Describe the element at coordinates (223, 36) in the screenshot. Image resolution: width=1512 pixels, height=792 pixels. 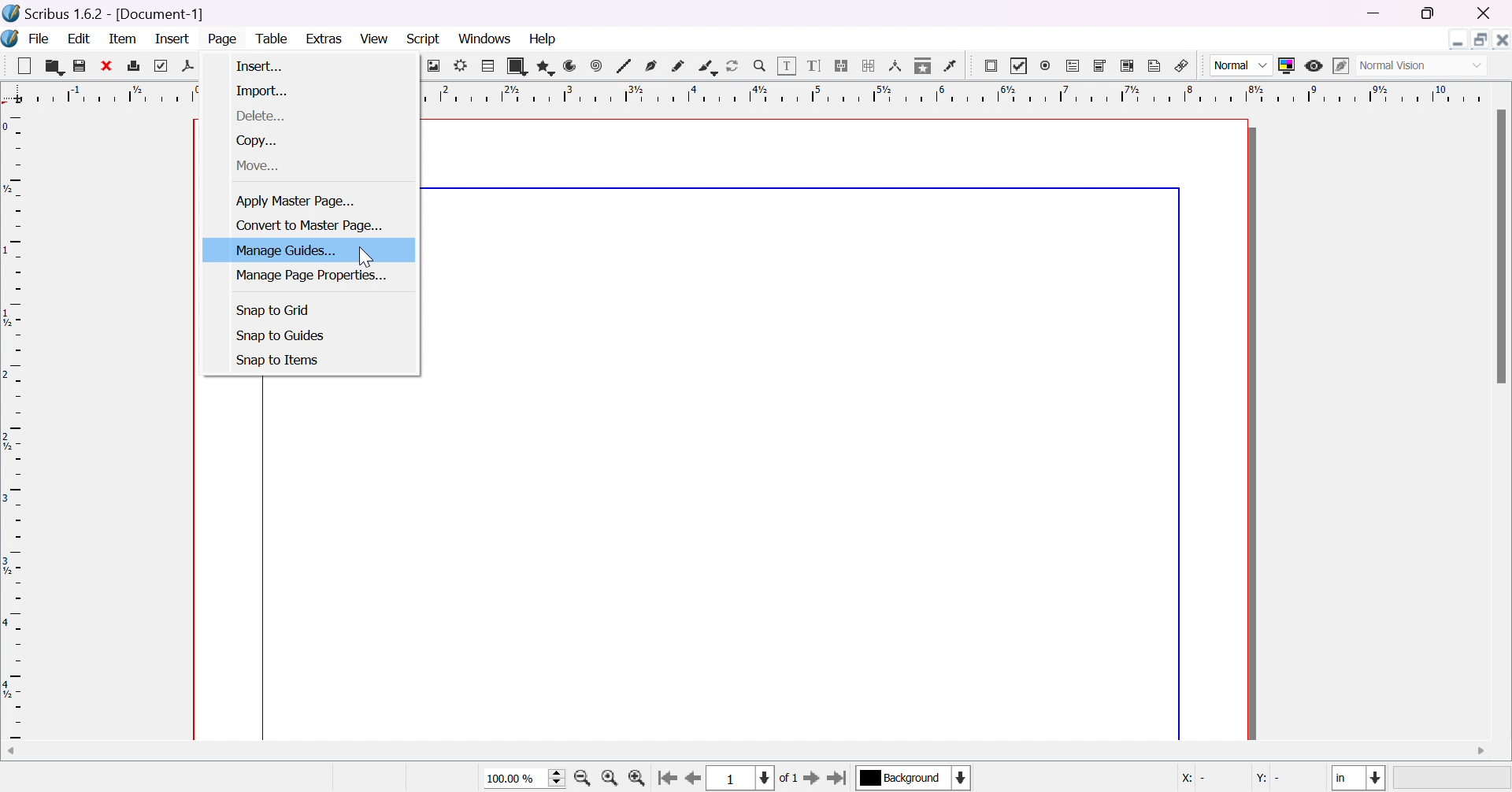
I see `page` at that location.